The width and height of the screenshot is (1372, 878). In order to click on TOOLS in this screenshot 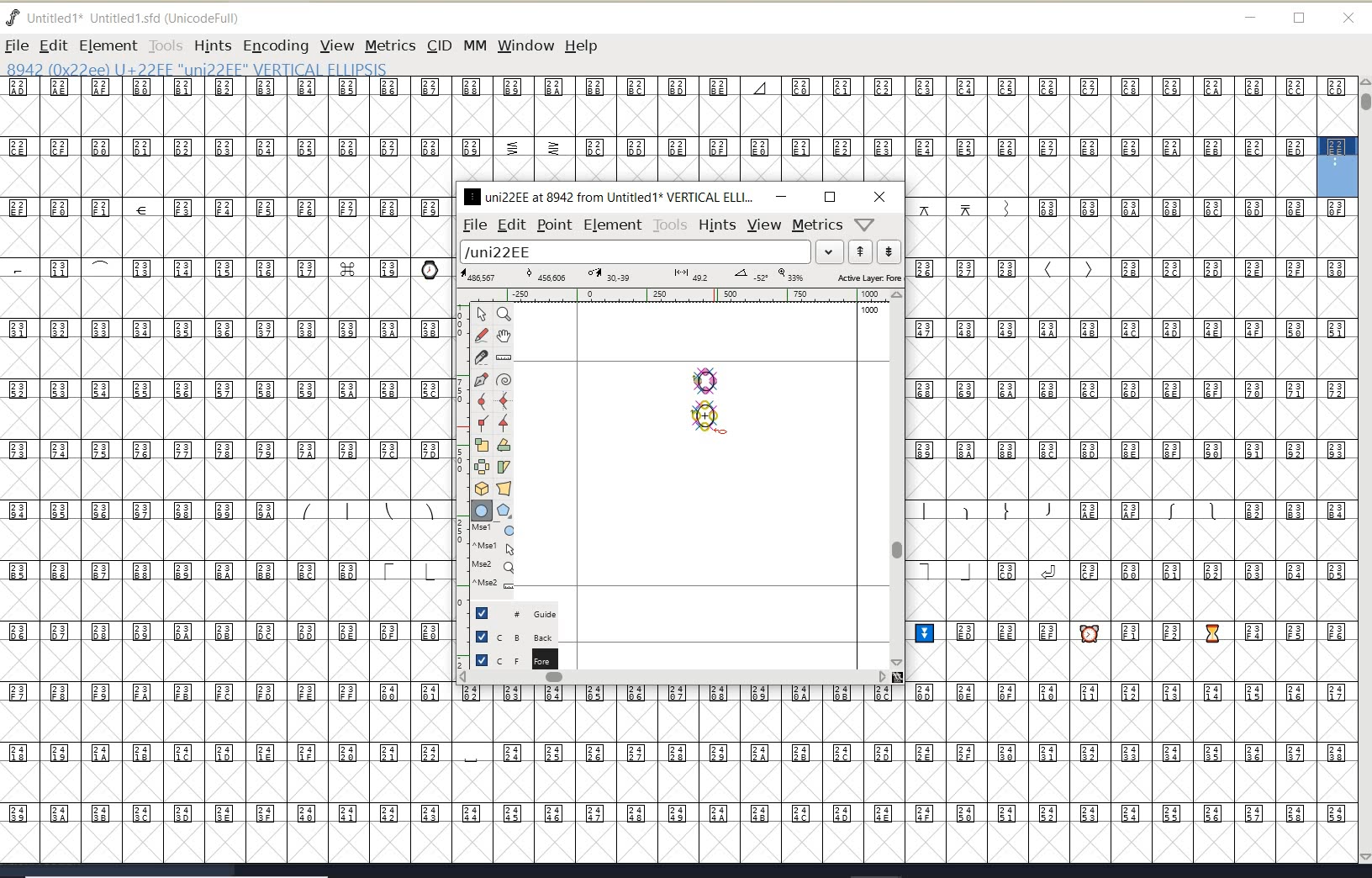, I will do `click(165, 45)`.